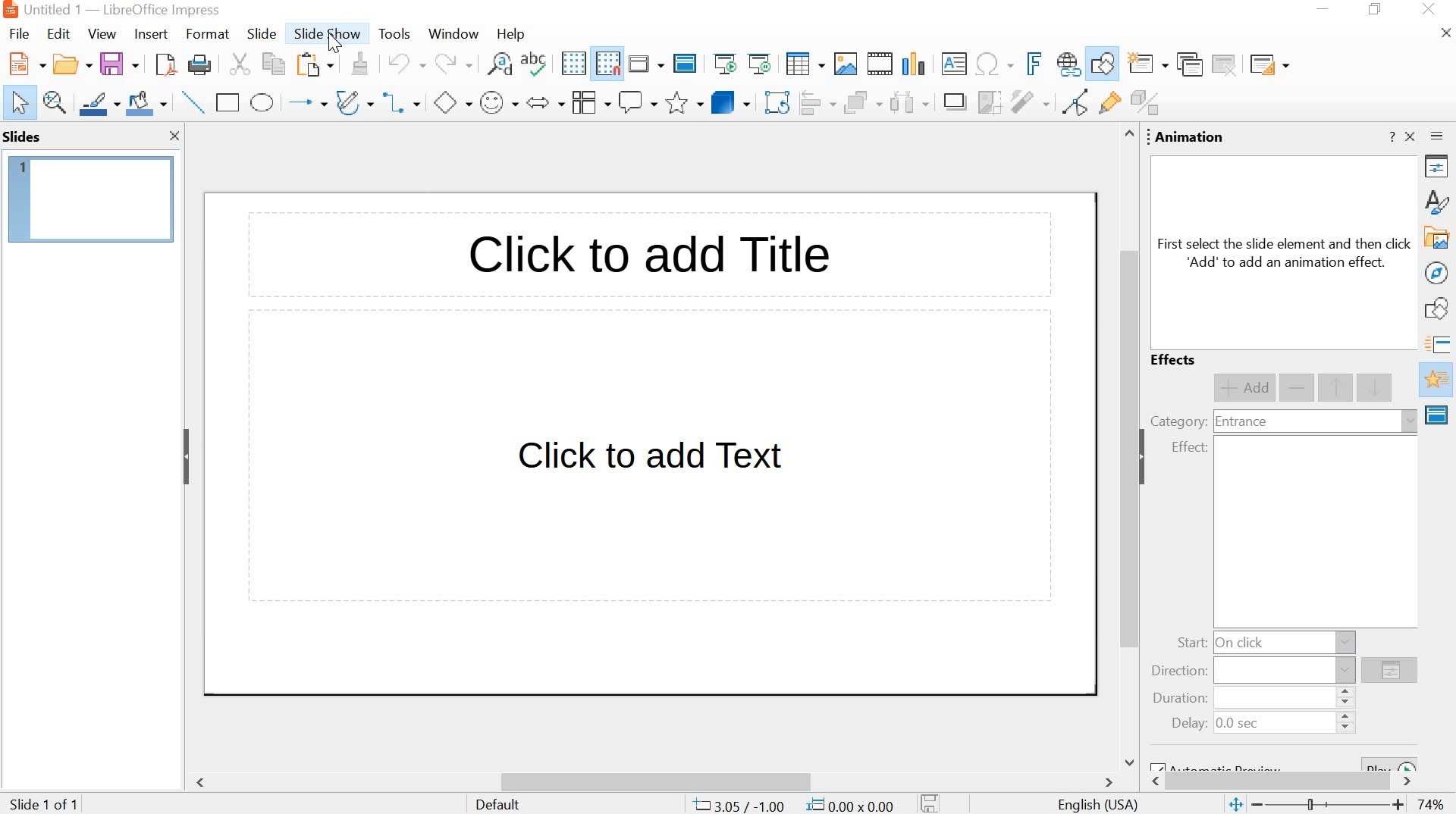  I want to click on insert textbox, so click(955, 64).